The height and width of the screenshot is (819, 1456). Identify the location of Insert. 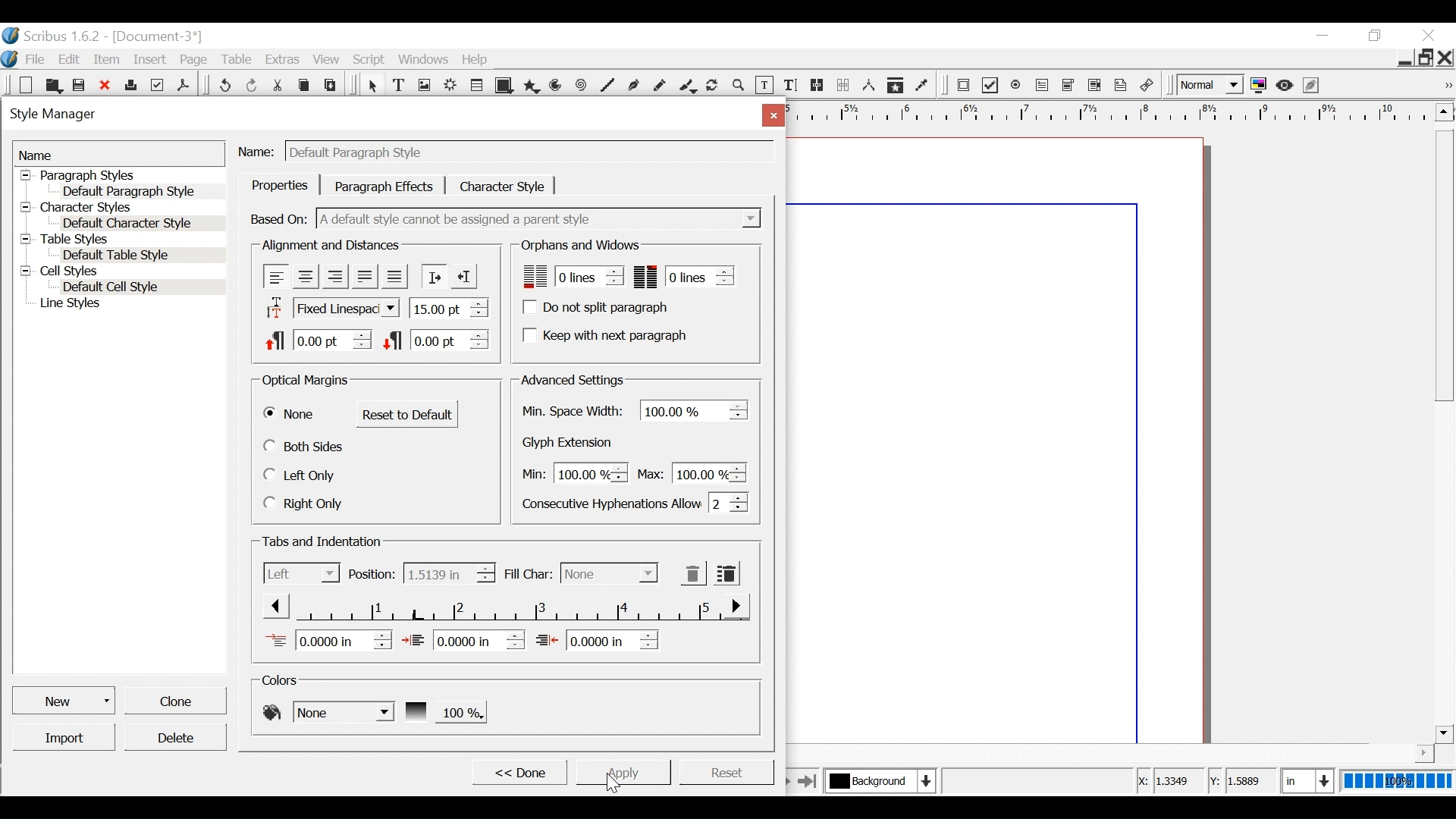
(152, 58).